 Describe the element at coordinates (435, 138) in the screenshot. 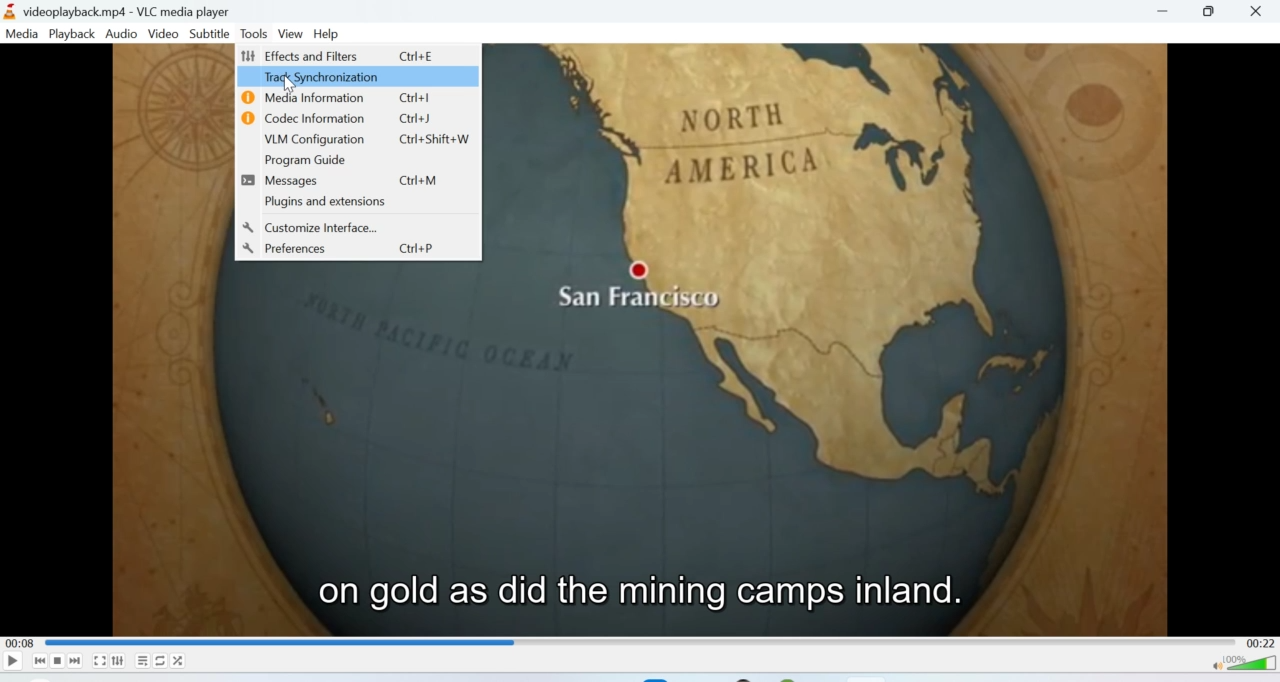

I see `Ctrl+Shift+J` at that location.